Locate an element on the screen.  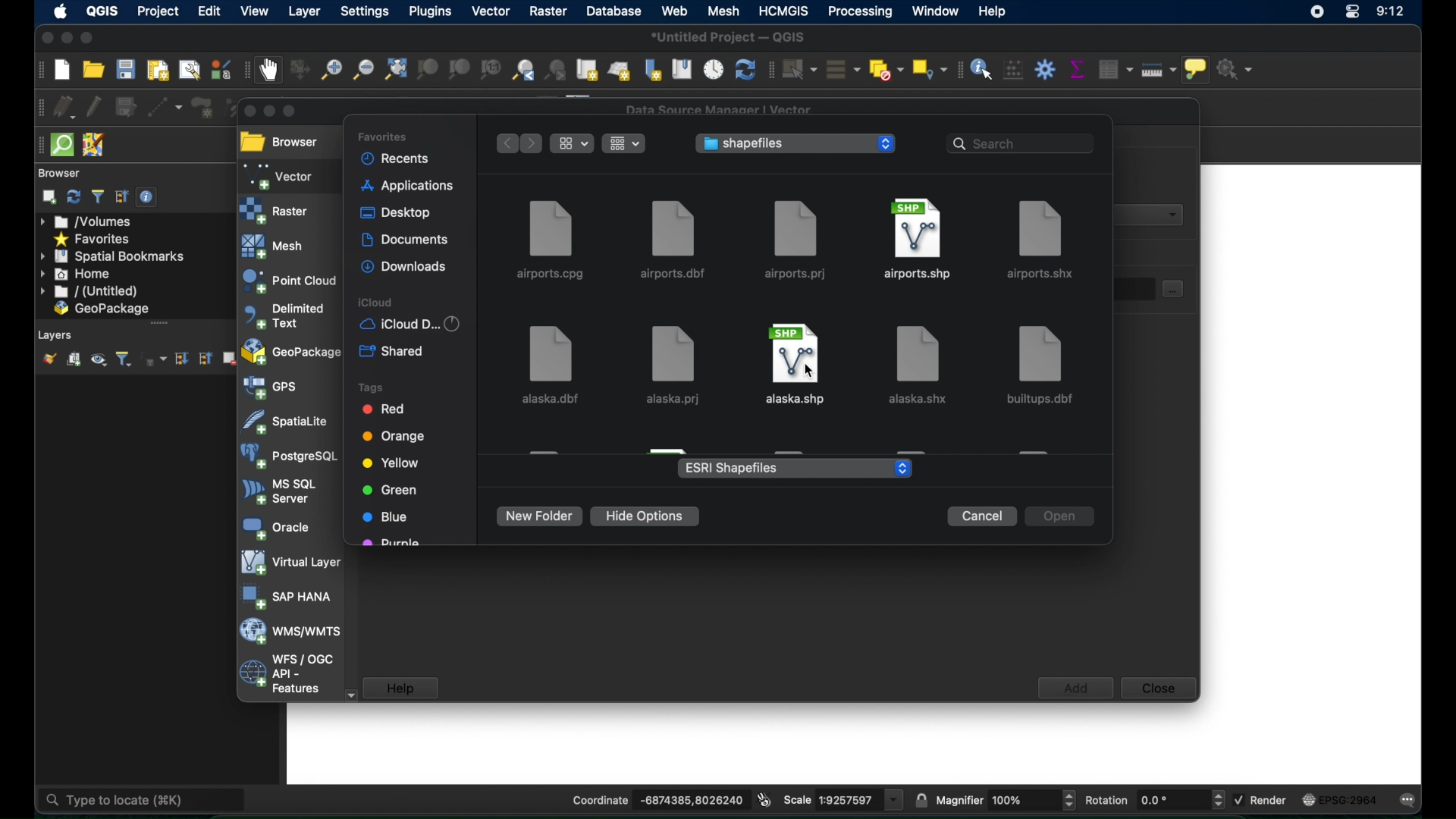
downloads is located at coordinates (404, 267).